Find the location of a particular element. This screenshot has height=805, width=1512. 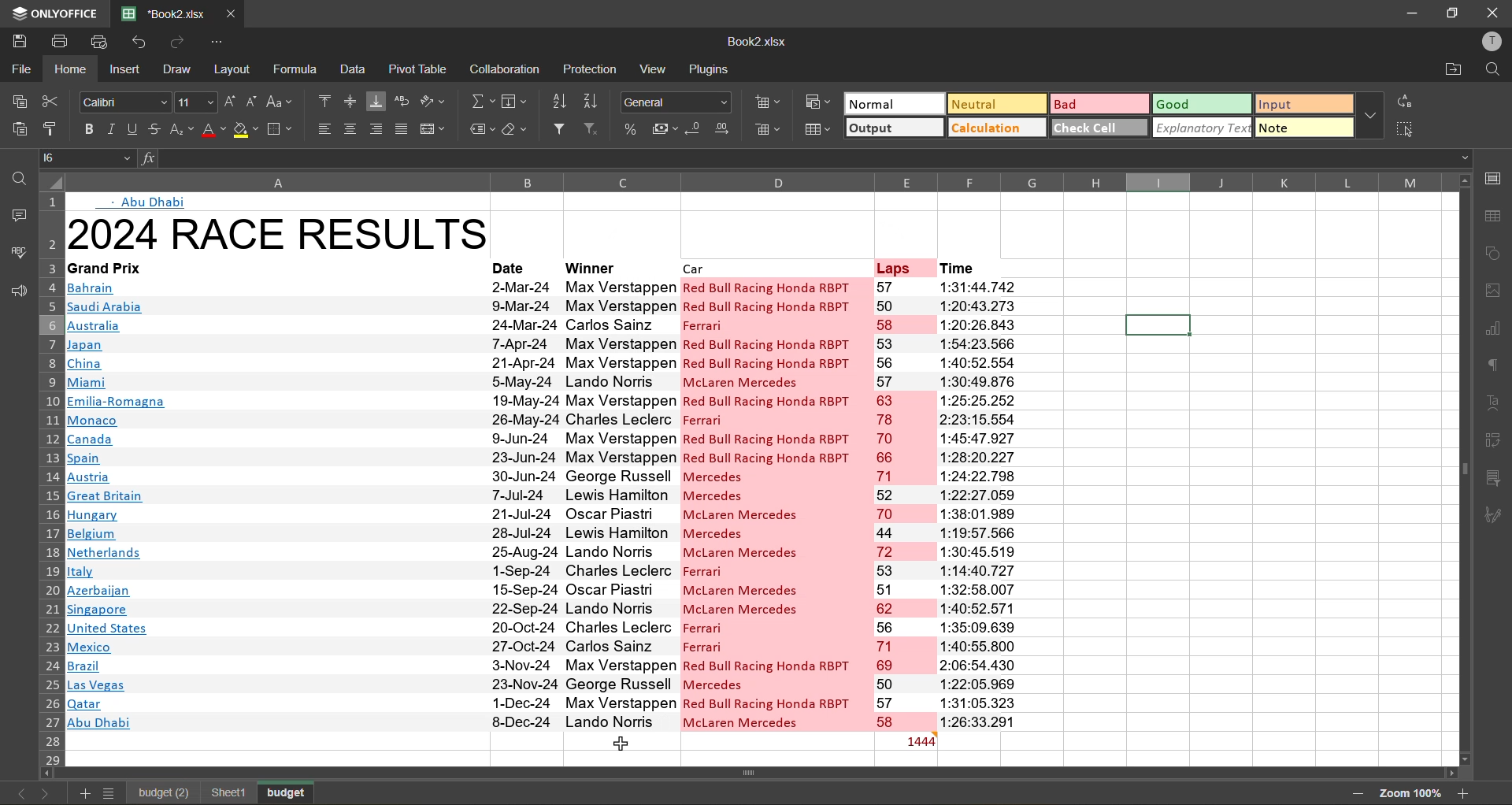

font size is located at coordinates (193, 103).